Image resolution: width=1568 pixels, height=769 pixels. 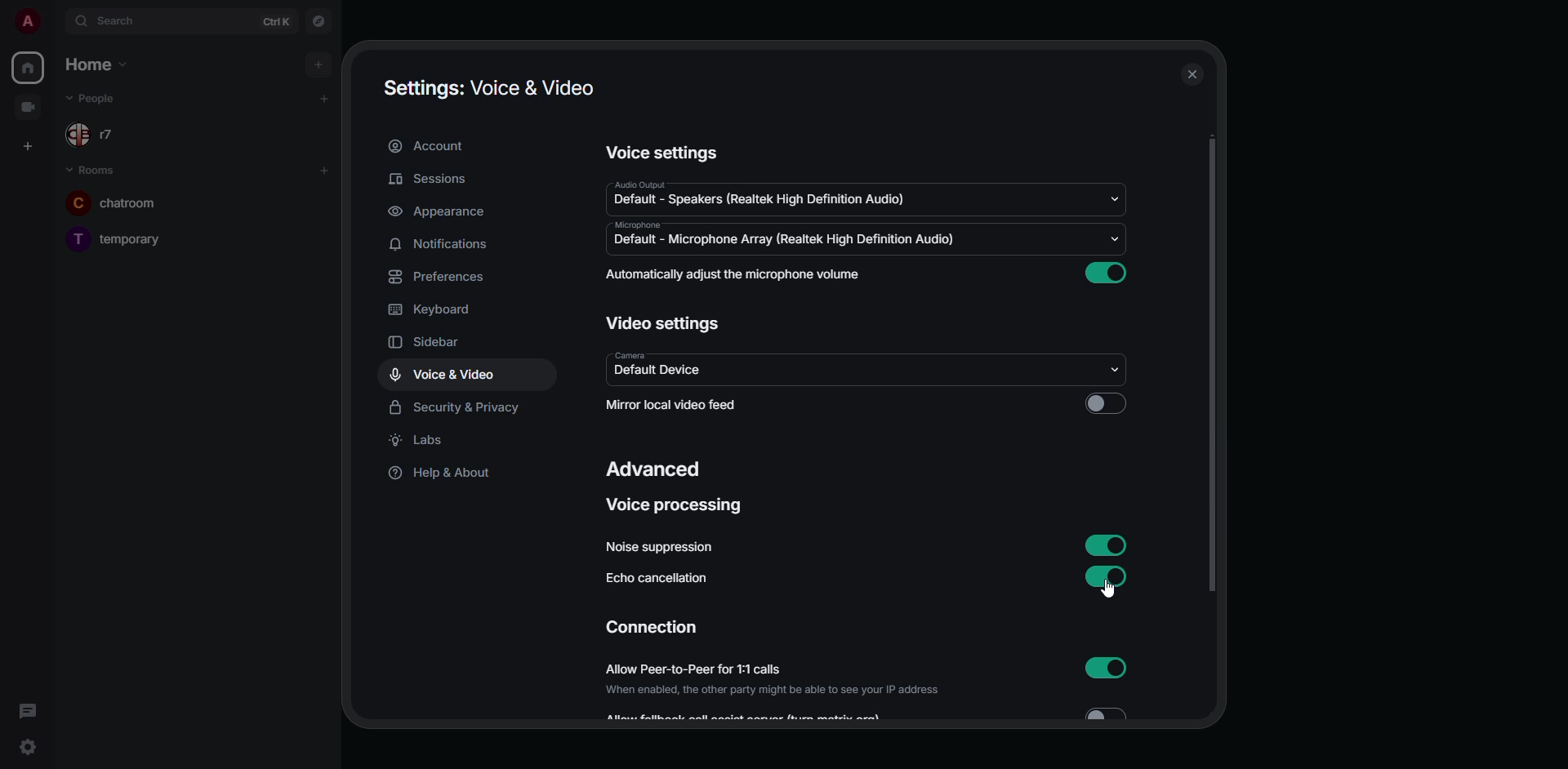 I want to click on search, so click(x=121, y=21).